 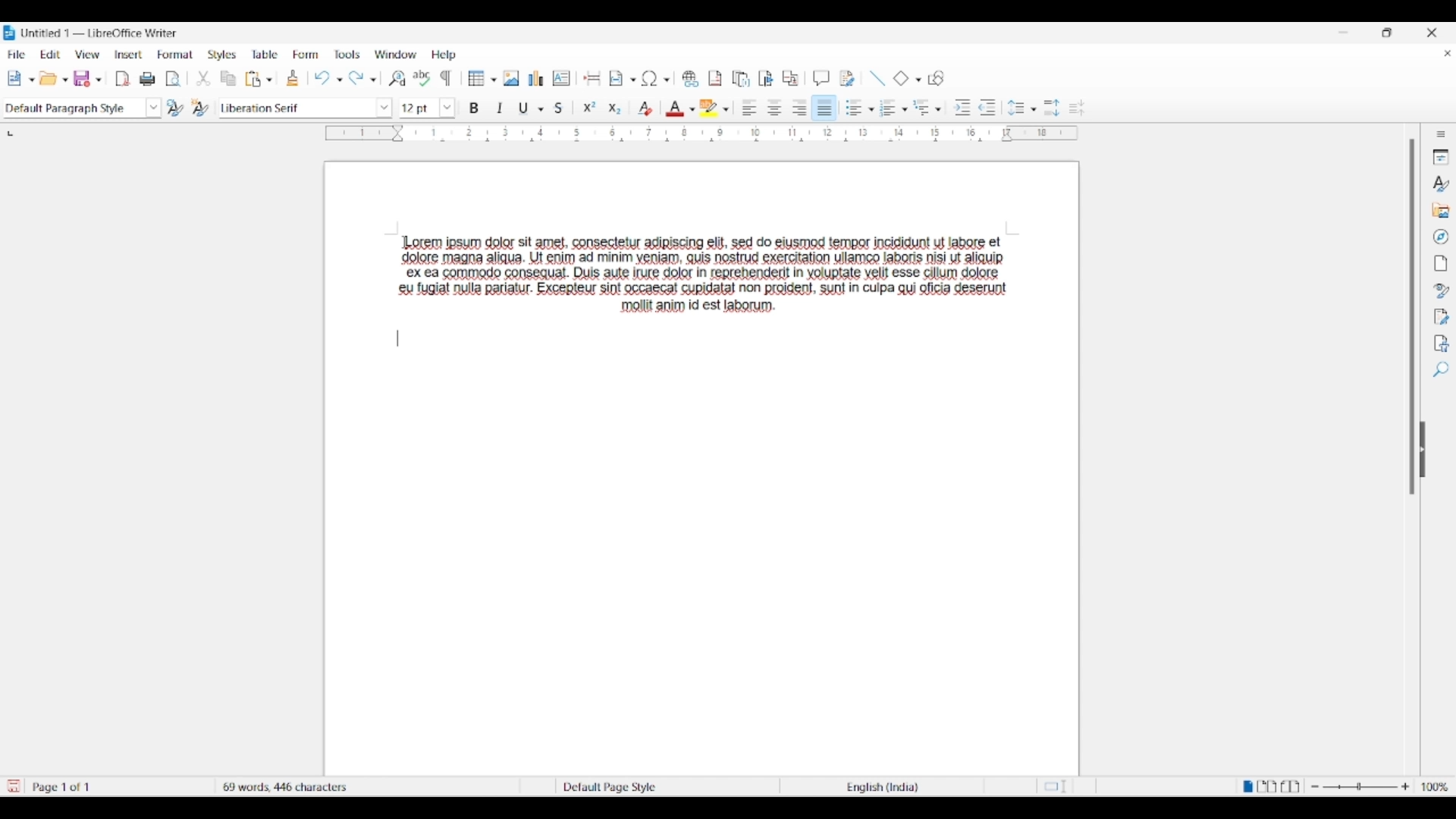 What do you see at coordinates (253, 78) in the screenshot?
I see `Selected paste option` at bounding box center [253, 78].